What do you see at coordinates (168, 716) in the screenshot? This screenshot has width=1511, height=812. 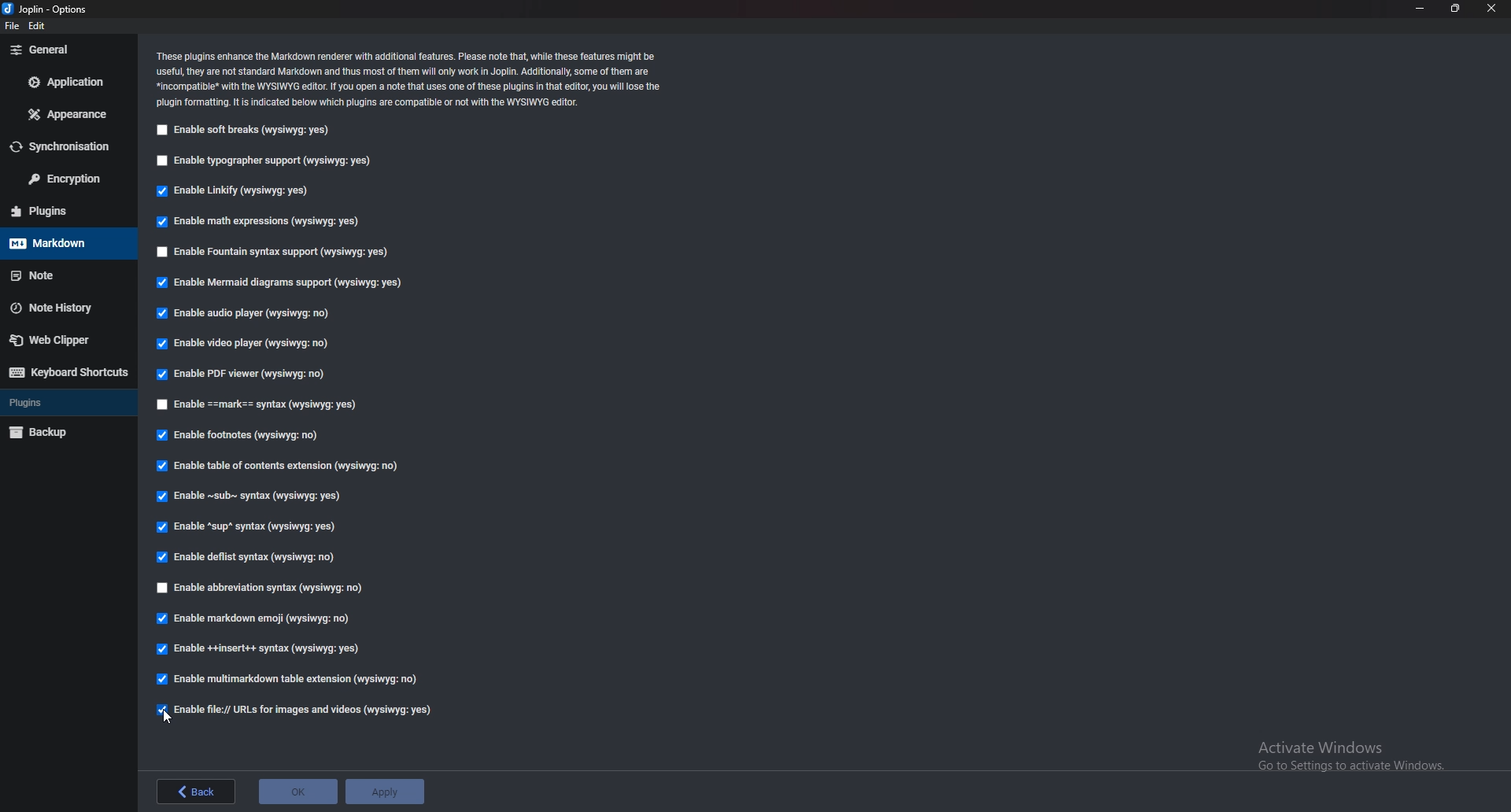 I see `cursor` at bounding box center [168, 716].